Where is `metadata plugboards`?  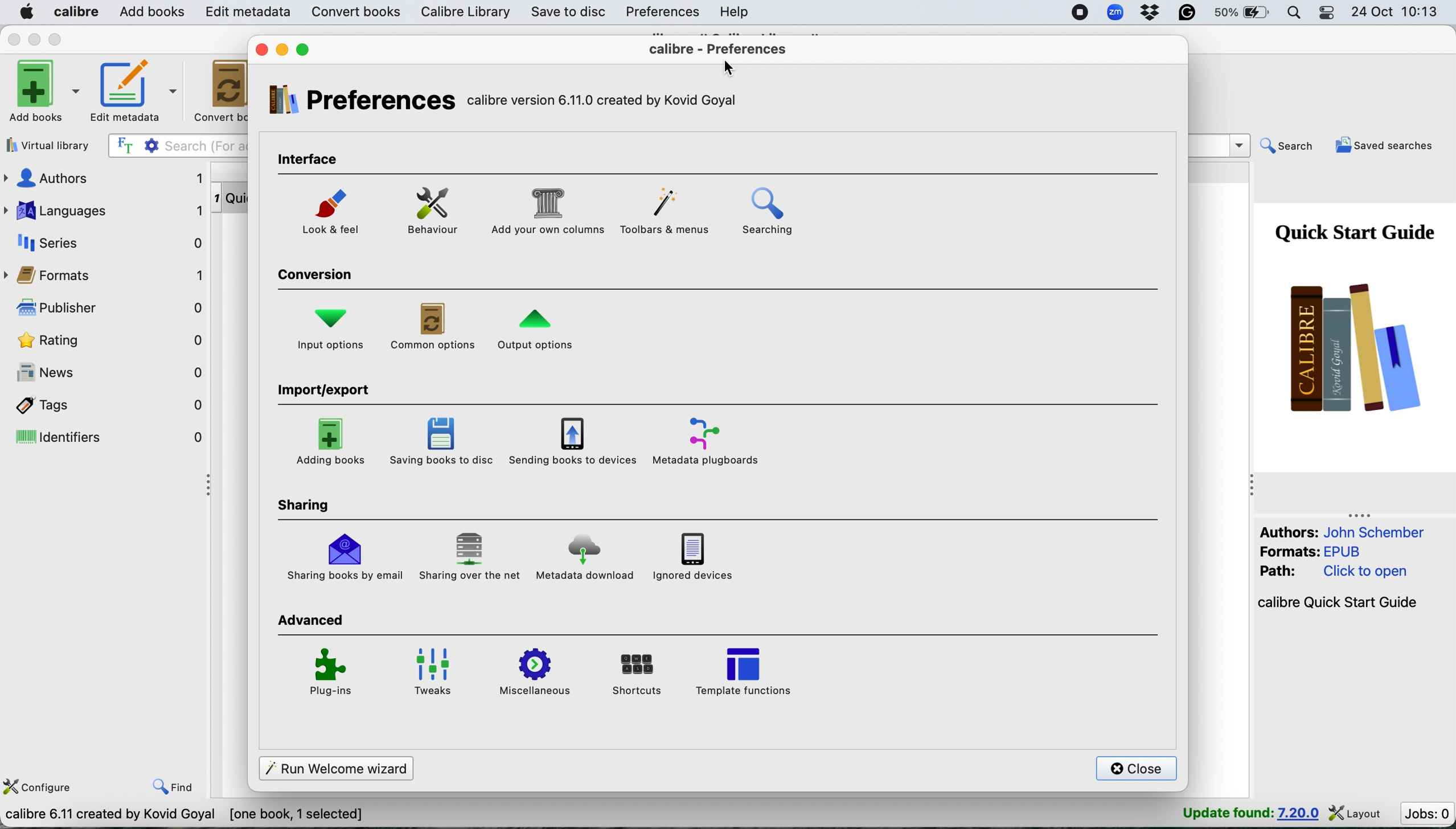
metadata plugboards is located at coordinates (704, 444).